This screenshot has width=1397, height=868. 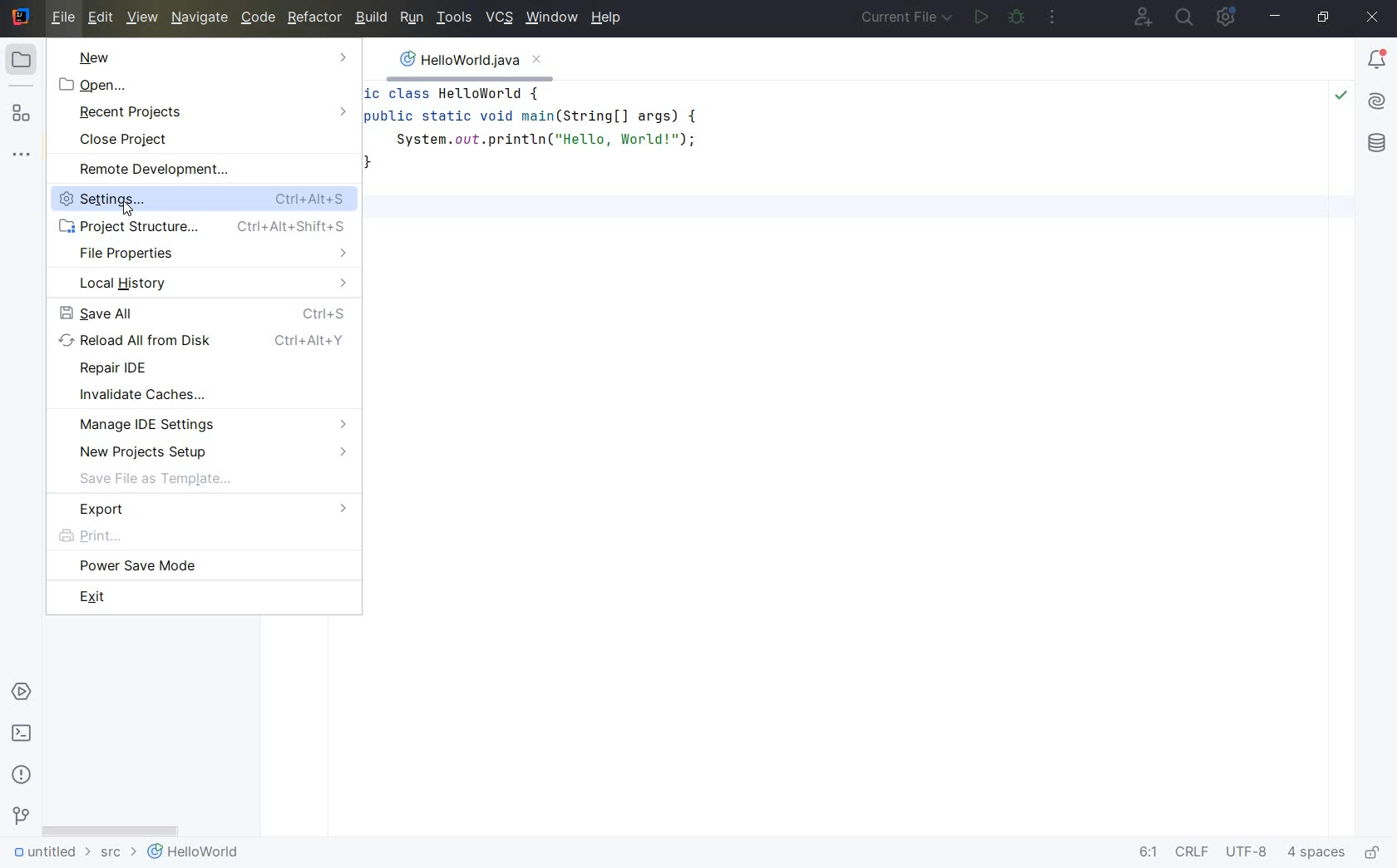 I want to click on VIEW, so click(x=143, y=18).